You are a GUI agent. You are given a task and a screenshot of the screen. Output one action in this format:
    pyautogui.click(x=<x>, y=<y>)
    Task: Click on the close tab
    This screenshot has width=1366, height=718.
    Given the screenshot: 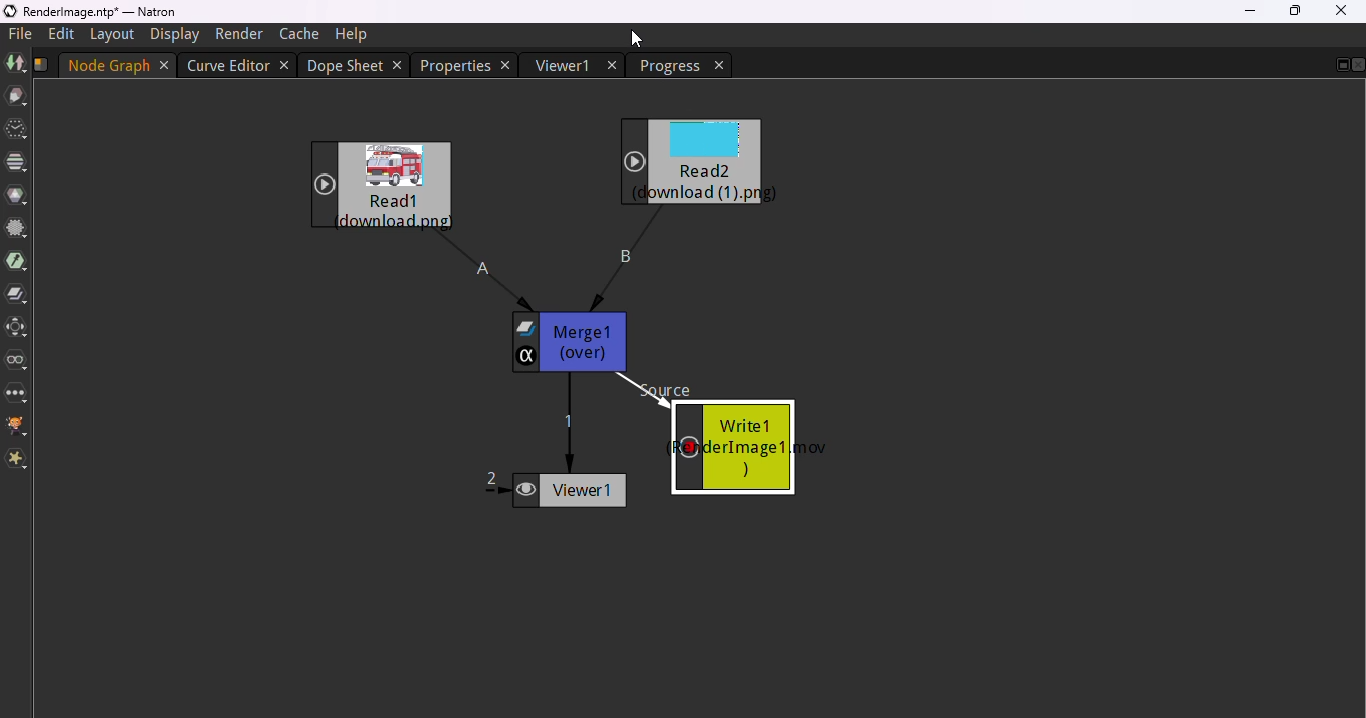 What is the action you would take?
    pyautogui.click(x=399, y=65)
    